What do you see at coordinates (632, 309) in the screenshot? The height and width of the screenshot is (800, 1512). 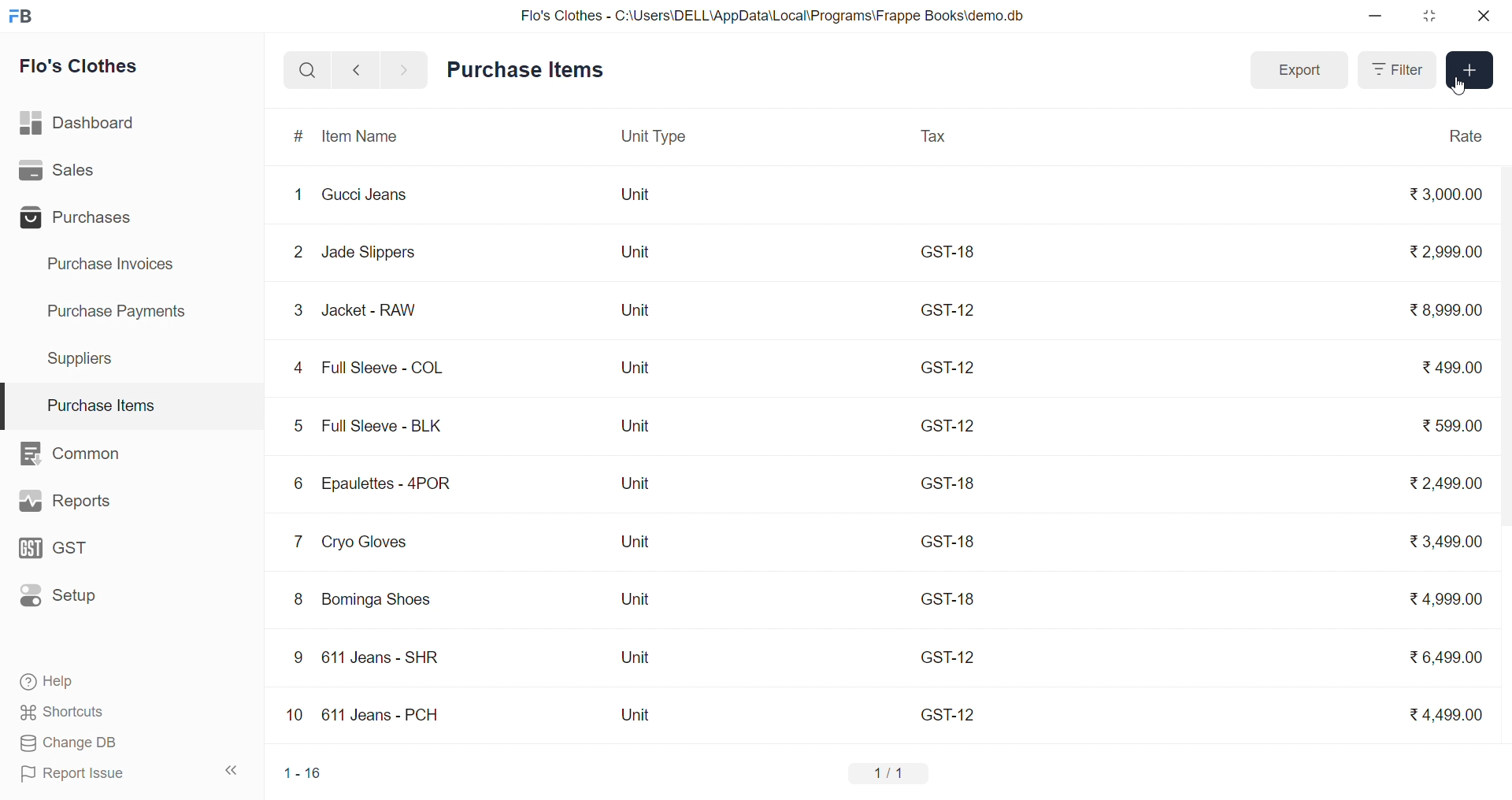 I see `Unit` at bounding box center [632, 309].